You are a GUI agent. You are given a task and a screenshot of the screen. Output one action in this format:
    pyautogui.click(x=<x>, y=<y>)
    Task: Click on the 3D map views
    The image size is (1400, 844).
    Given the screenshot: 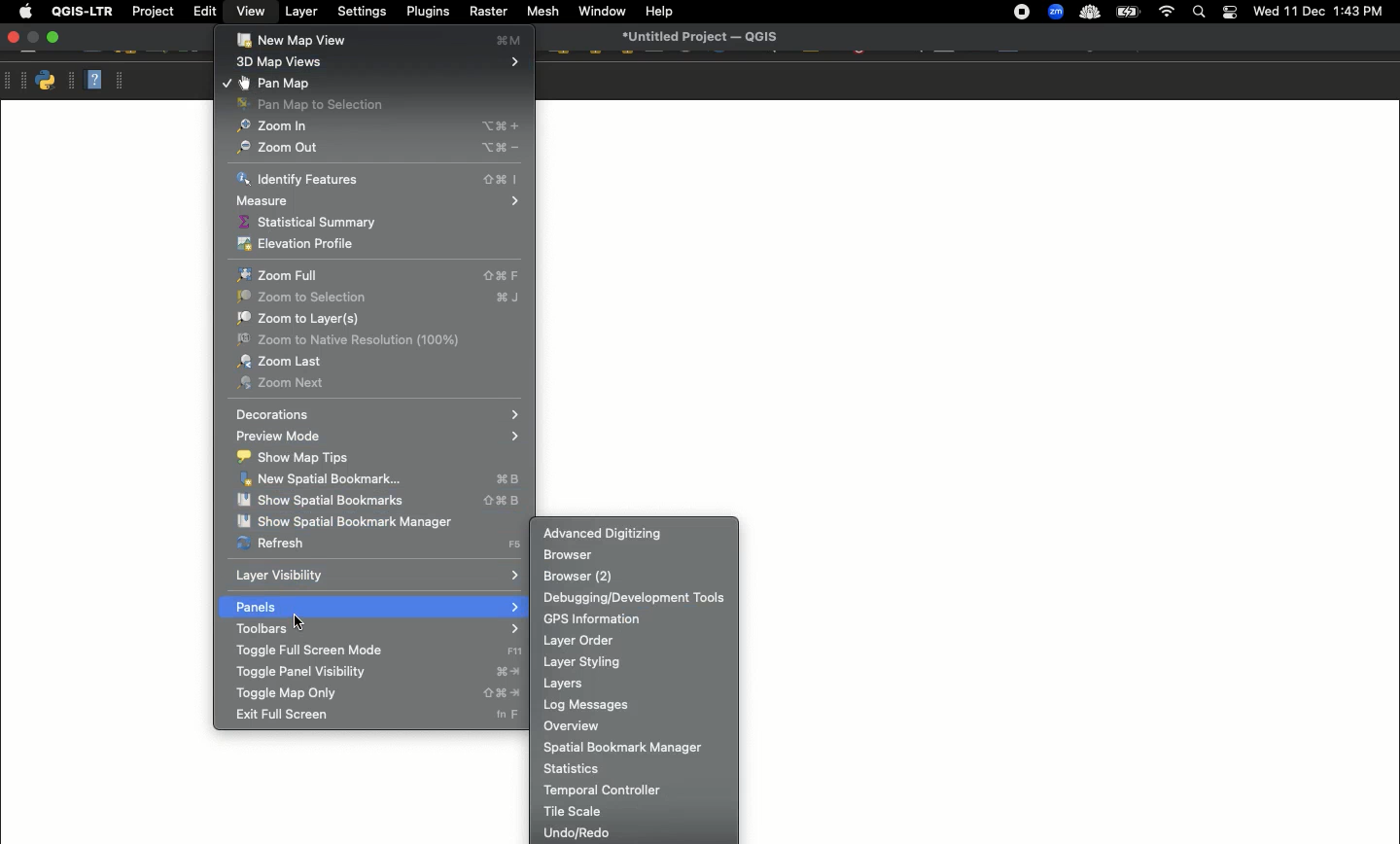 What is the action you would take?
    pyautogui.click(x=378, y=63)
    